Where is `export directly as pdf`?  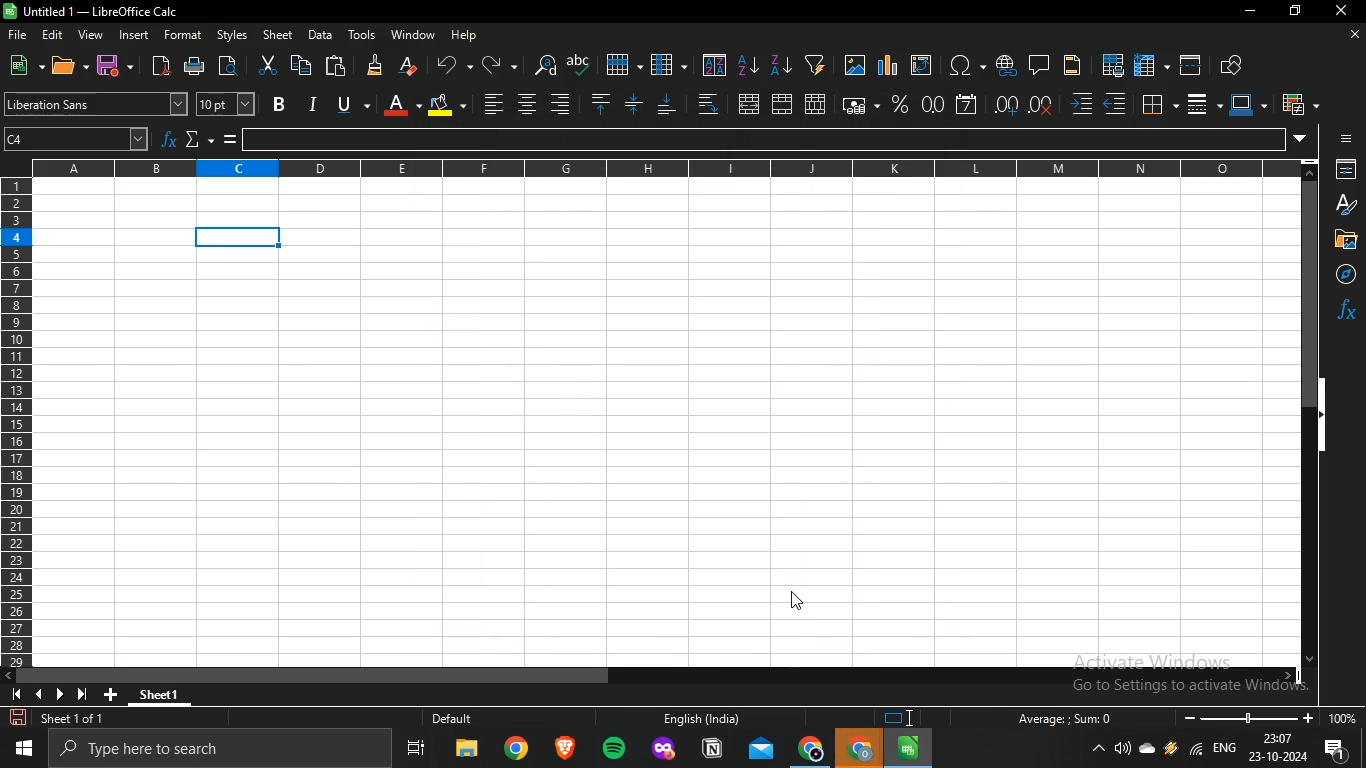 export directly as pdf is located at coordinates (158, 65).